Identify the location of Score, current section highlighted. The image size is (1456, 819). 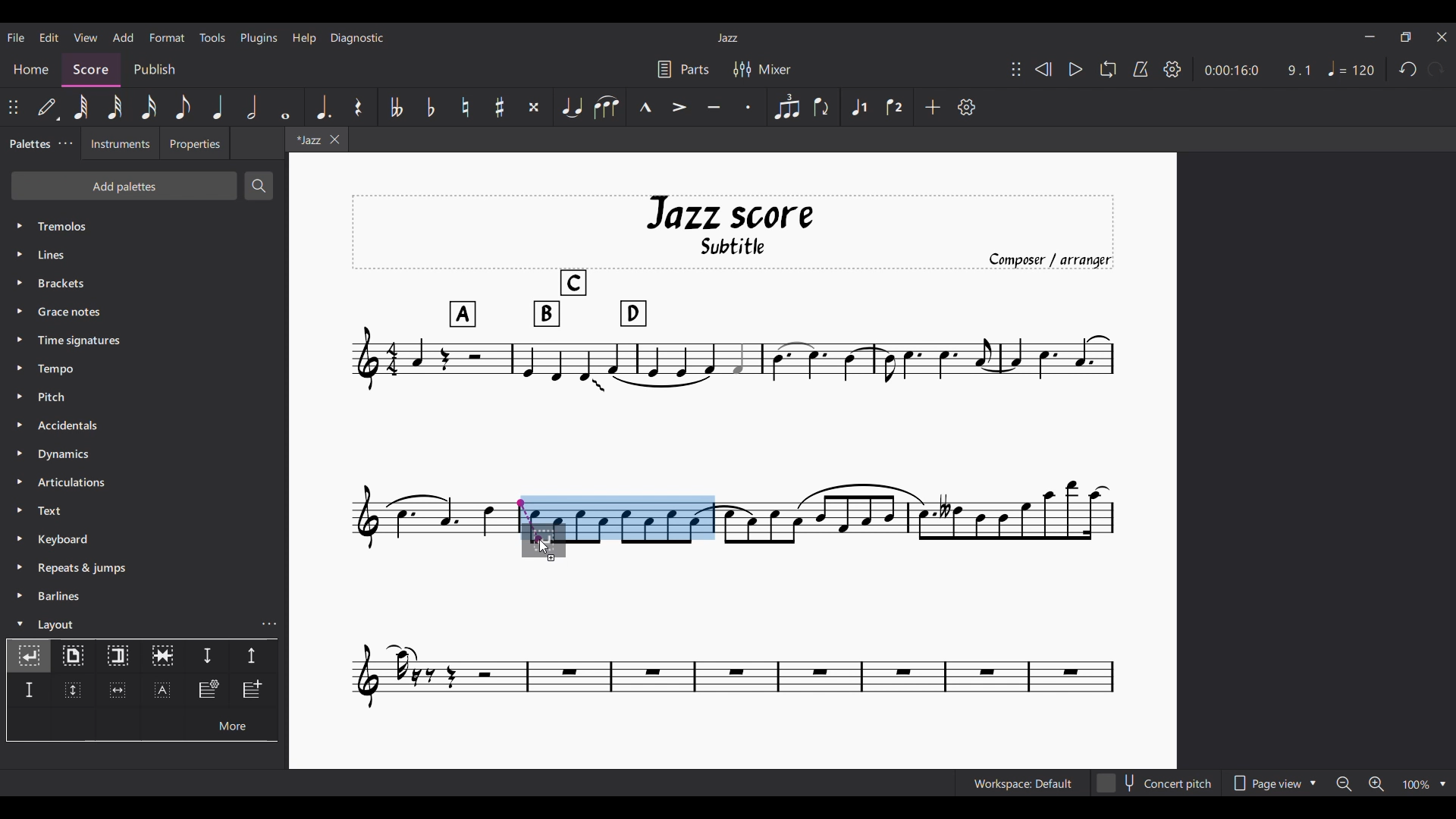
(91, 70).